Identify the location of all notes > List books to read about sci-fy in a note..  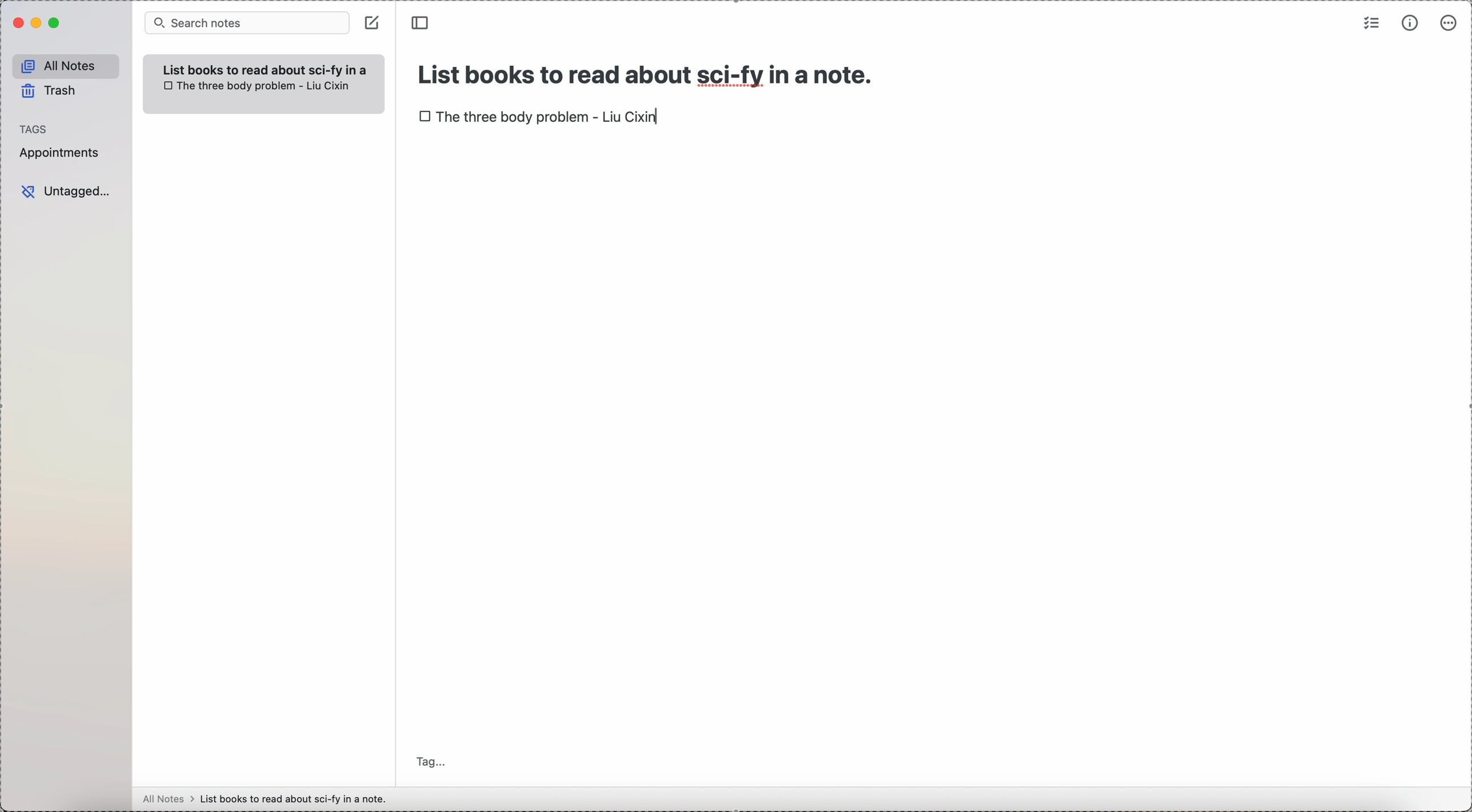
(268, 798).